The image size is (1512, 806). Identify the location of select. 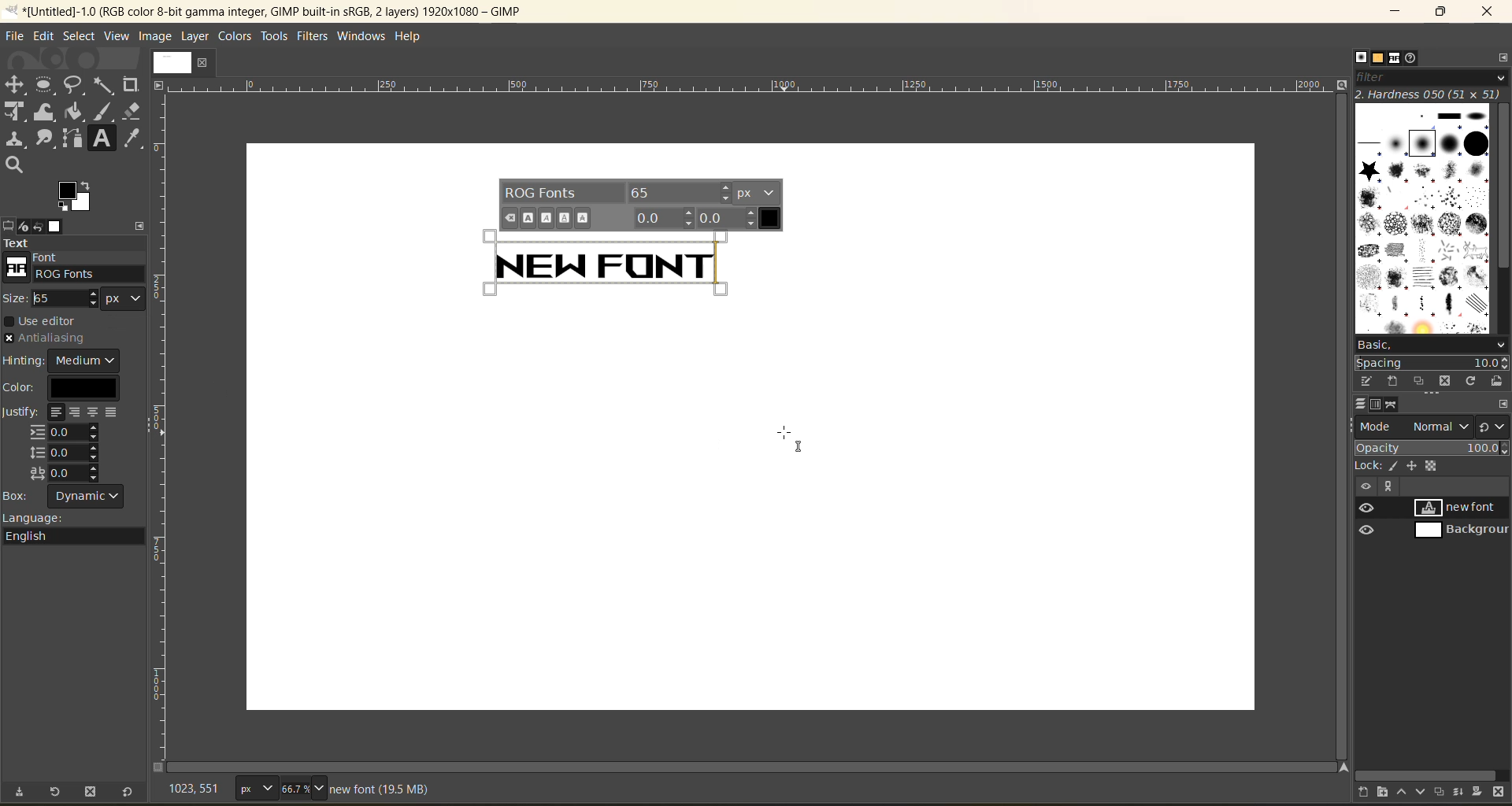
(80, 38).